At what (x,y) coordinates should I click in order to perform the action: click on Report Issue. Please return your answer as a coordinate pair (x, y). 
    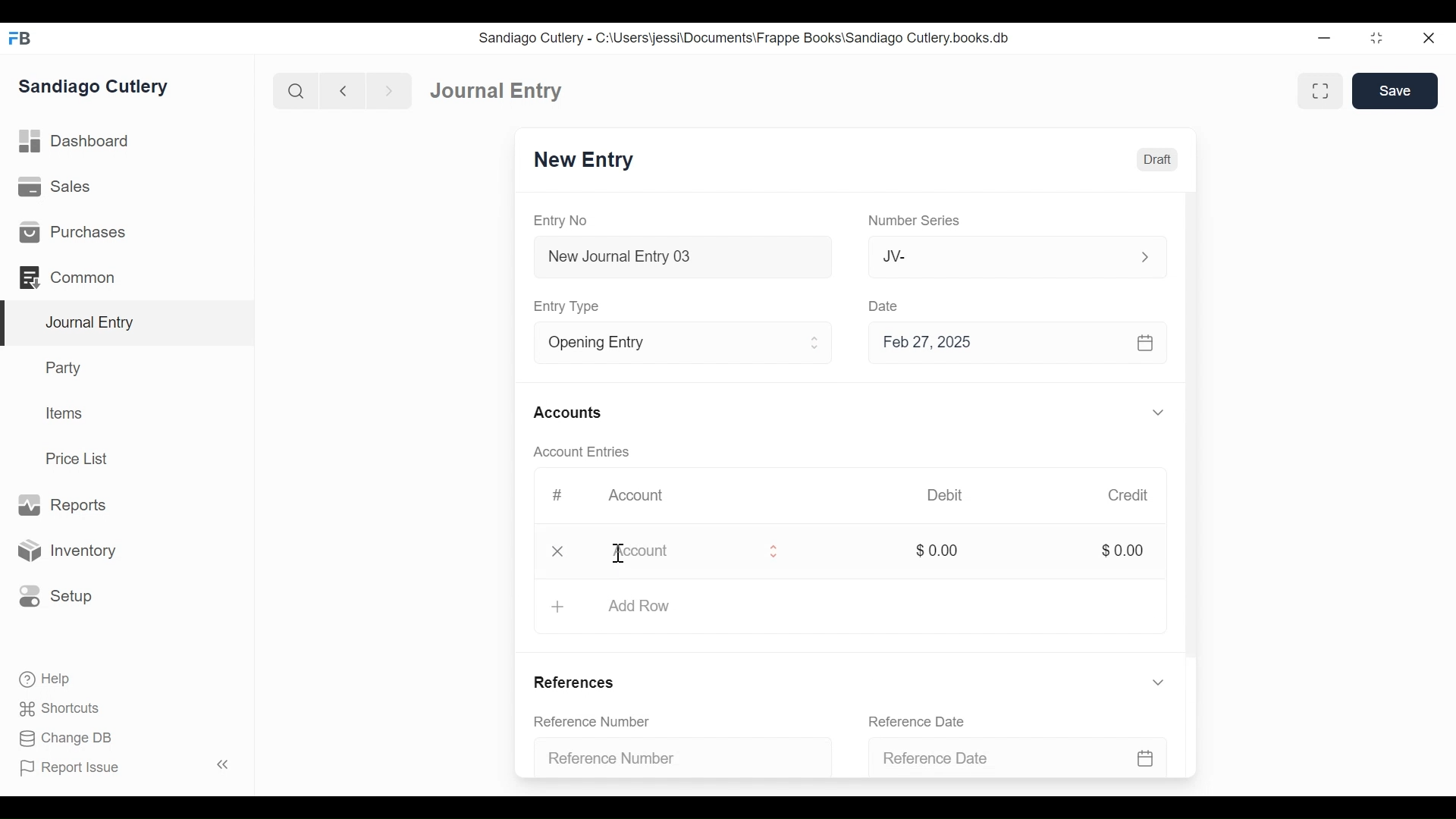
    Looking at the image, I should click on (71, 768).